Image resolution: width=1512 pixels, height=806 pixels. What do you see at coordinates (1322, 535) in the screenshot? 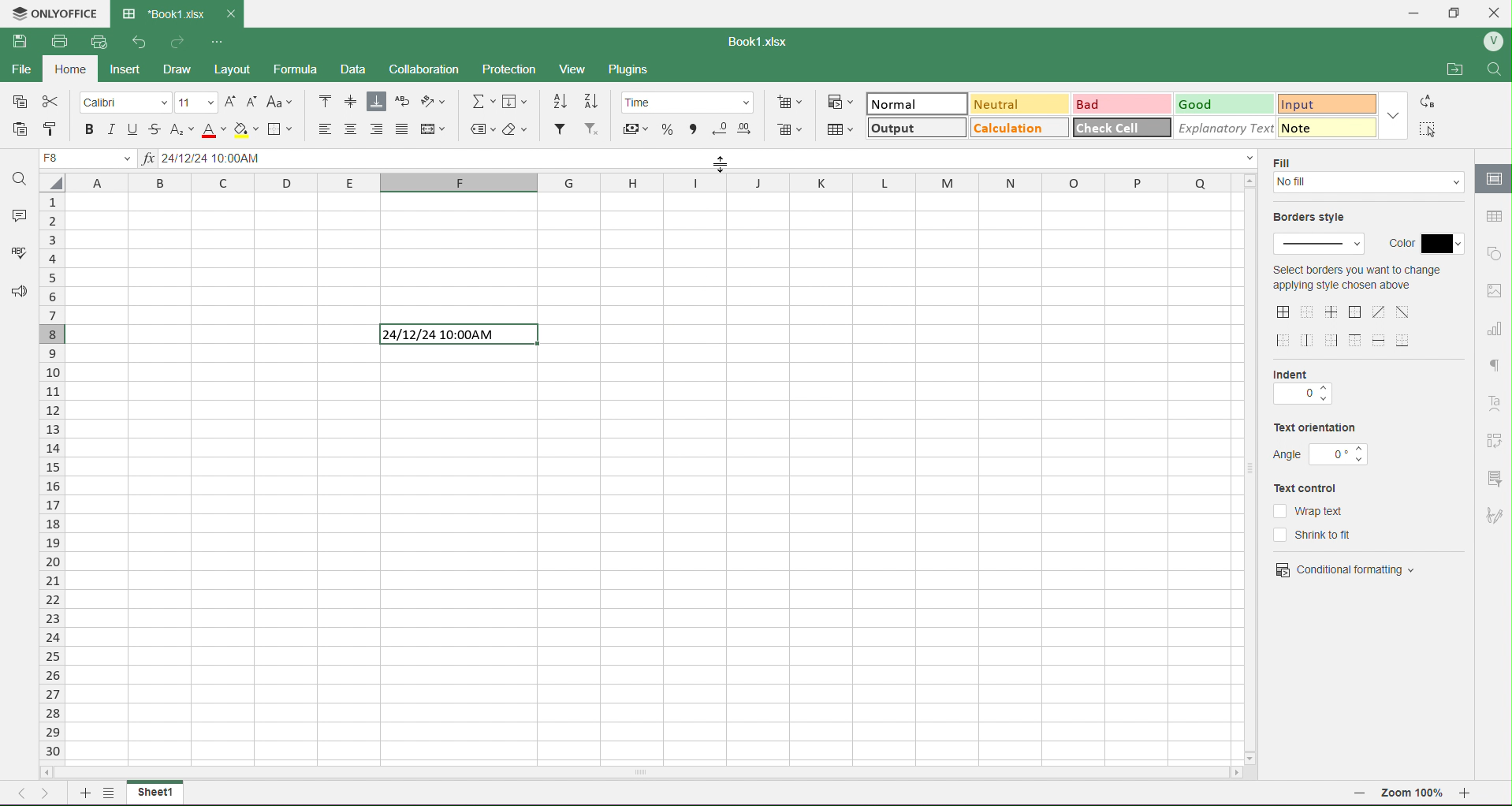
I see `shrink to fit` at bounding box center [1322, 535].